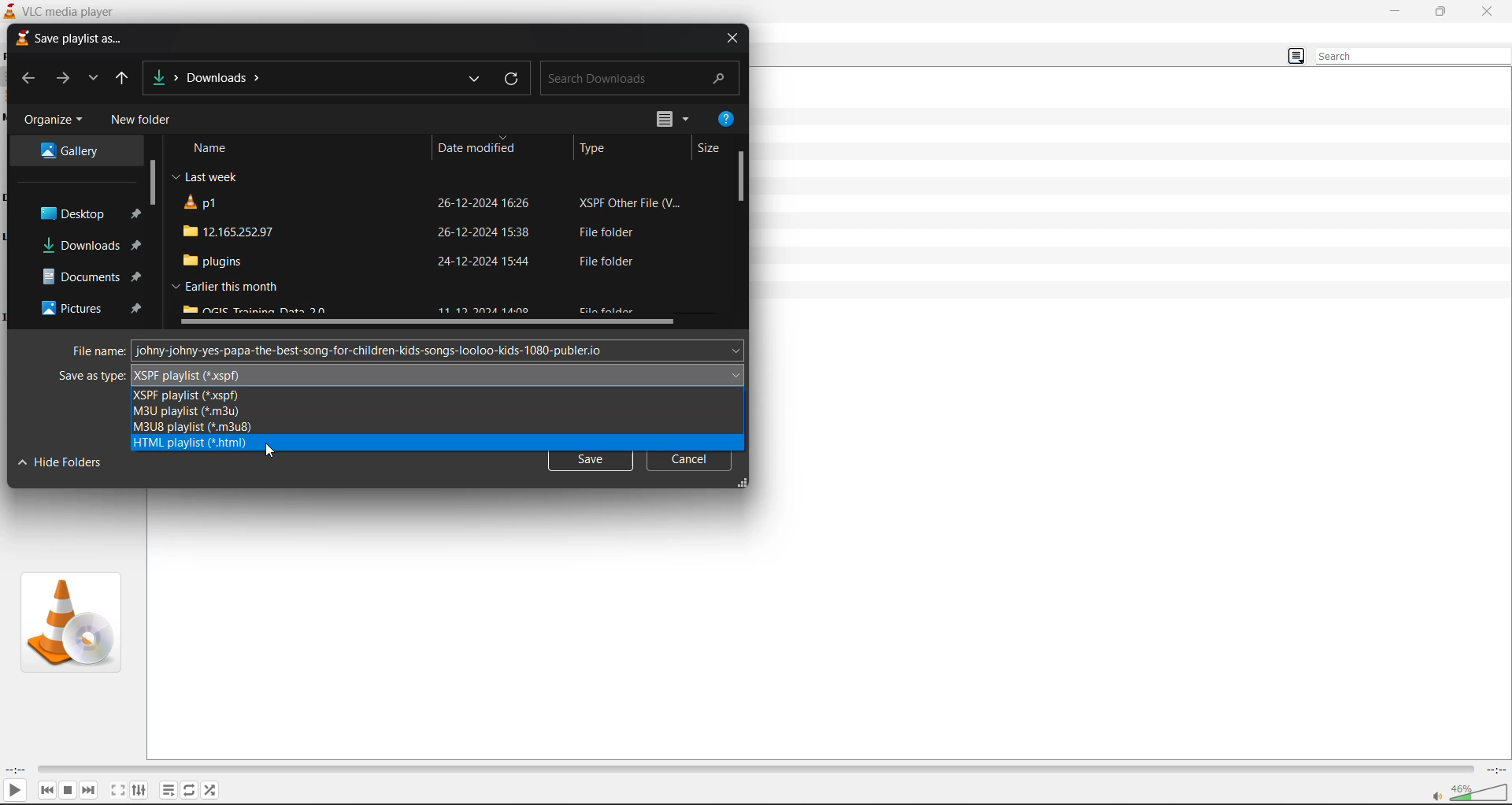 This screenshot has height=805, width=1512. I want to click on maximize, so click(1440, 13).